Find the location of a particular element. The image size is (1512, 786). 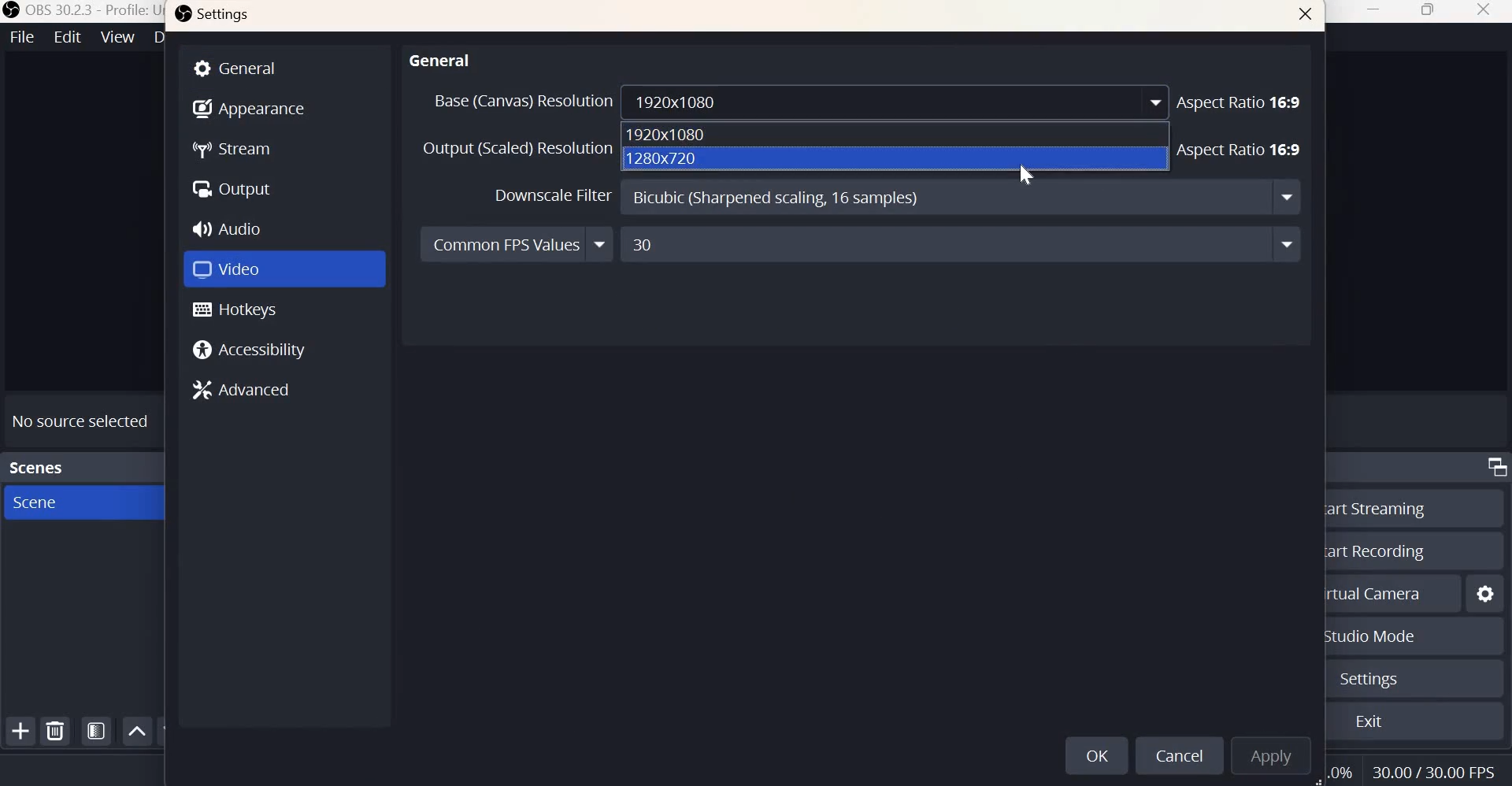

Output (scaled) Resolution is located at coordinates (517, 150).